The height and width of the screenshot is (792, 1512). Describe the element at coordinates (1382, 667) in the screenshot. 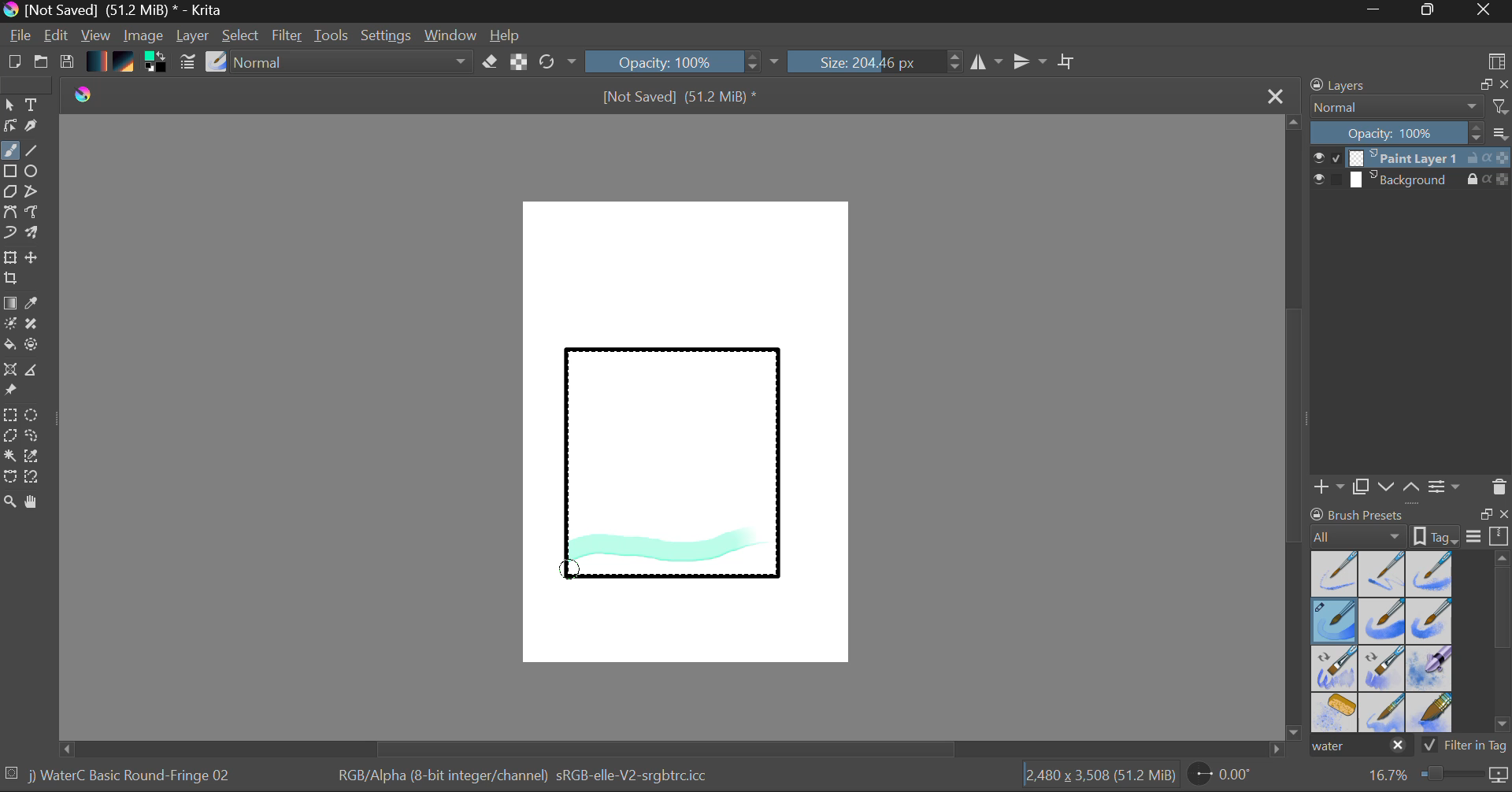

I see `Water C - Decay Tilt` at that location.